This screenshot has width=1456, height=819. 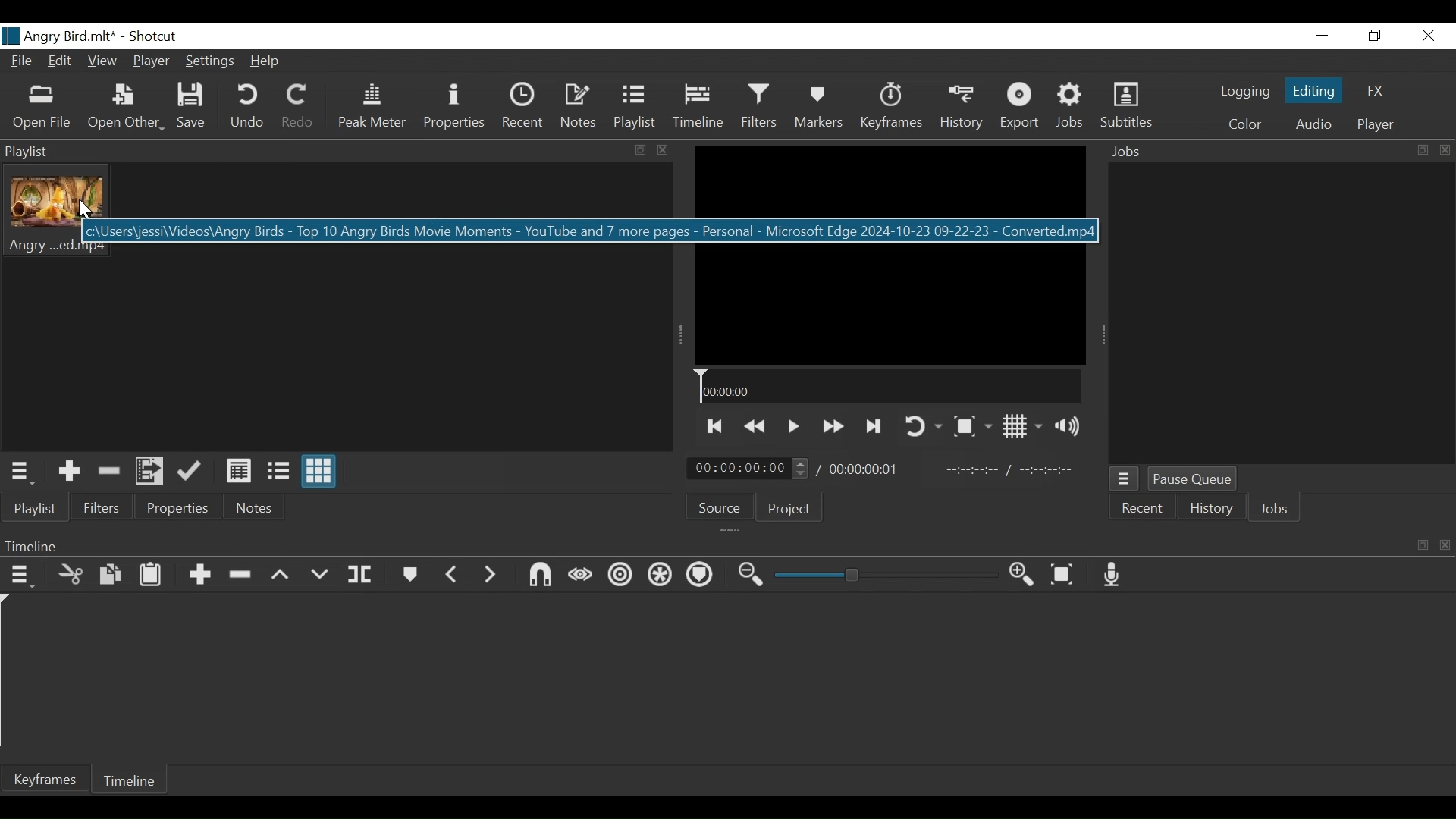 I want to click on Pause Queue, so click(x=1193, y=479).